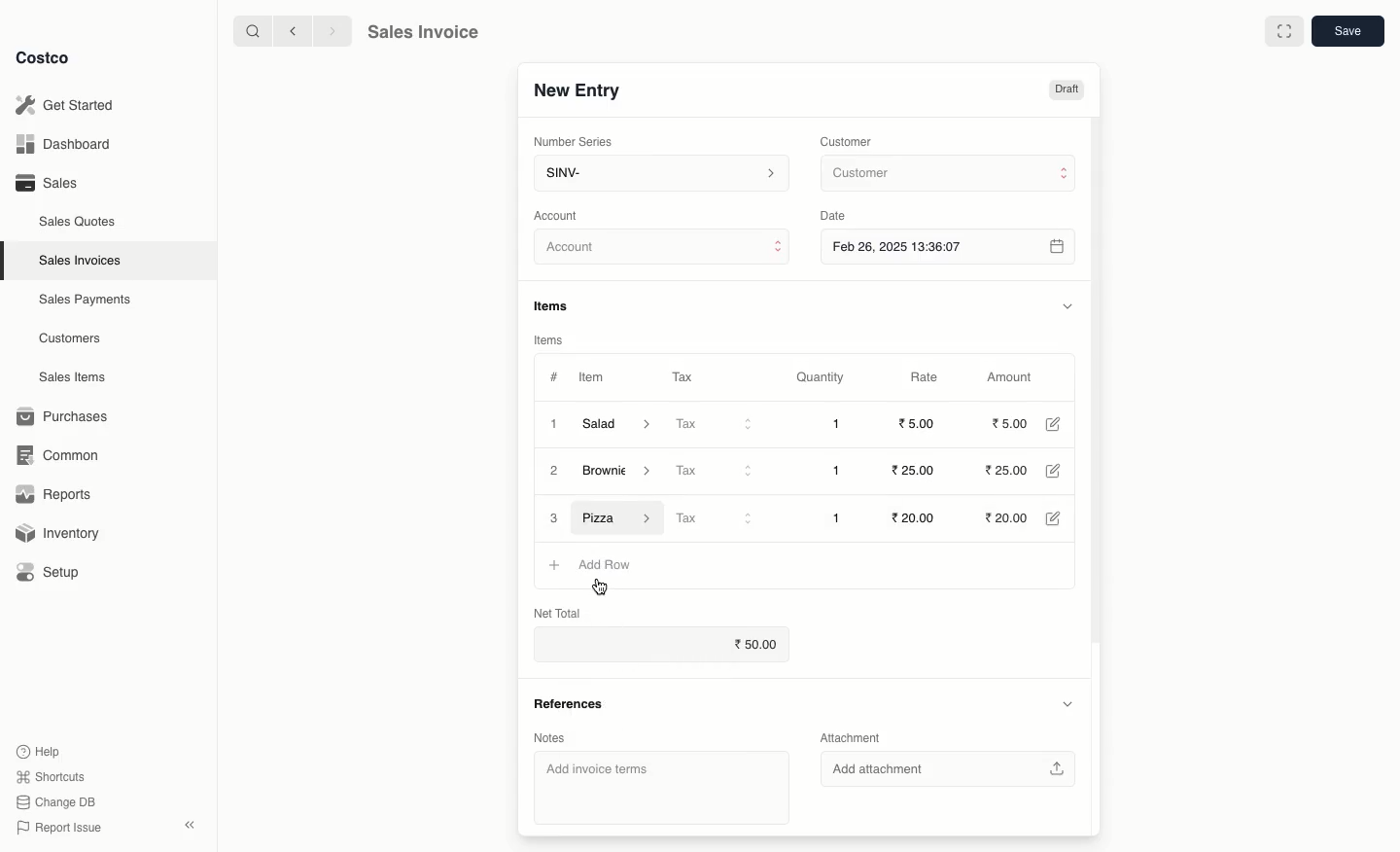 This screenshot has width=1400, height=852. What do you see at coordinates (927, 377) in the screenshot?
I see `Rate` at bounding box center [927, 377].